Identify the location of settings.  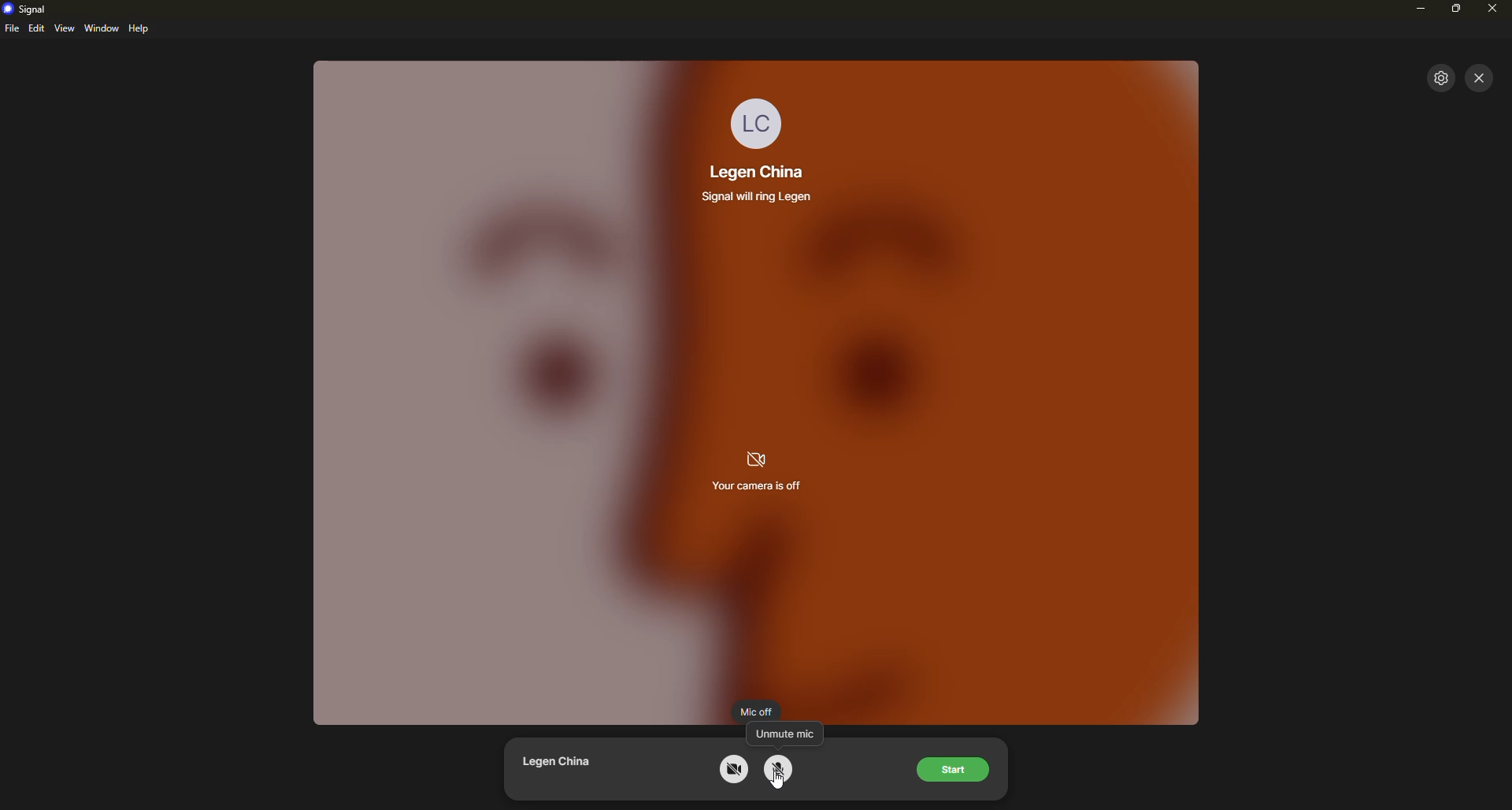
(1442, 77).